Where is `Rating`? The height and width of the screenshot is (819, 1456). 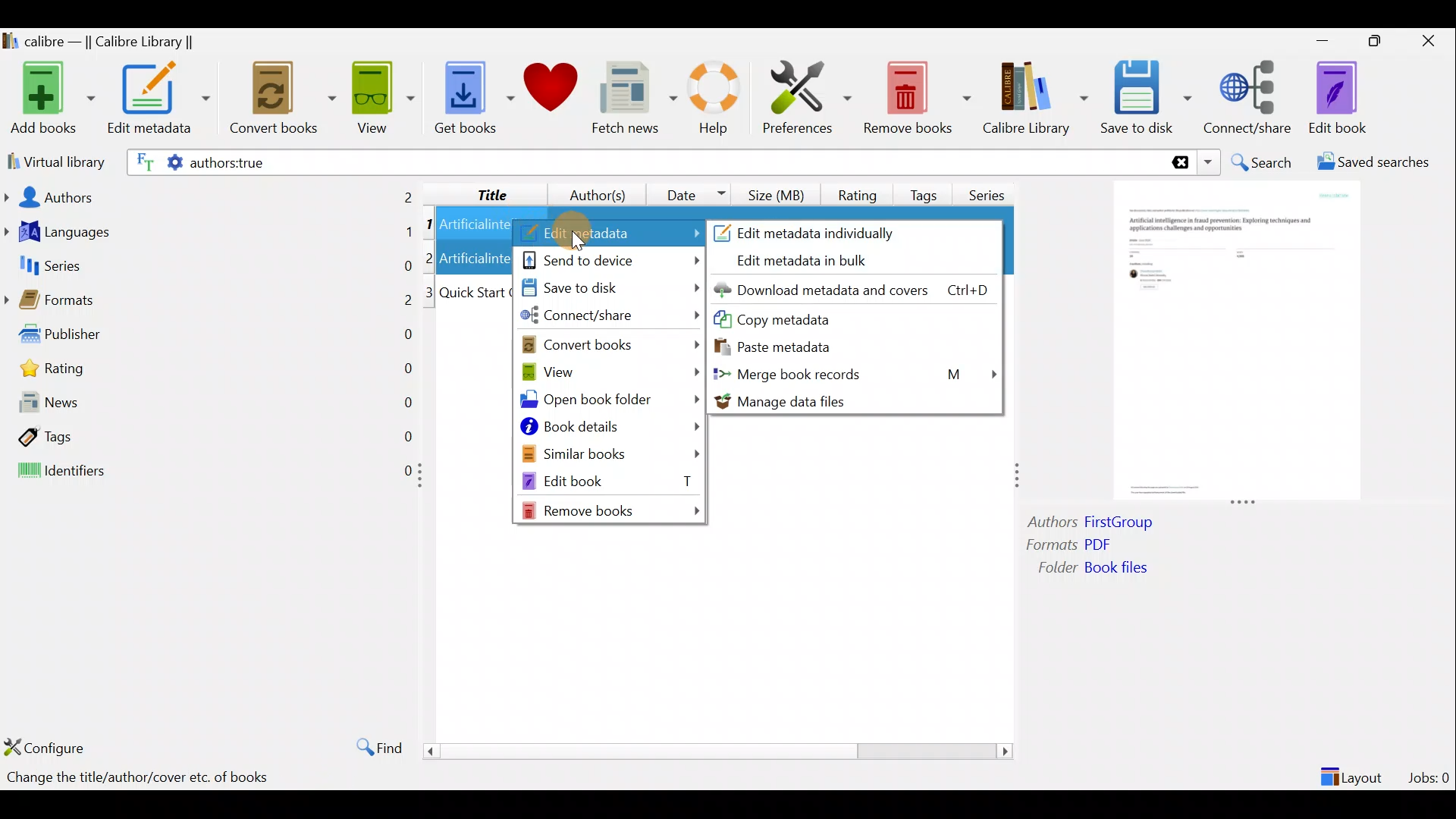
Rating is located at coordinates (215, 372).